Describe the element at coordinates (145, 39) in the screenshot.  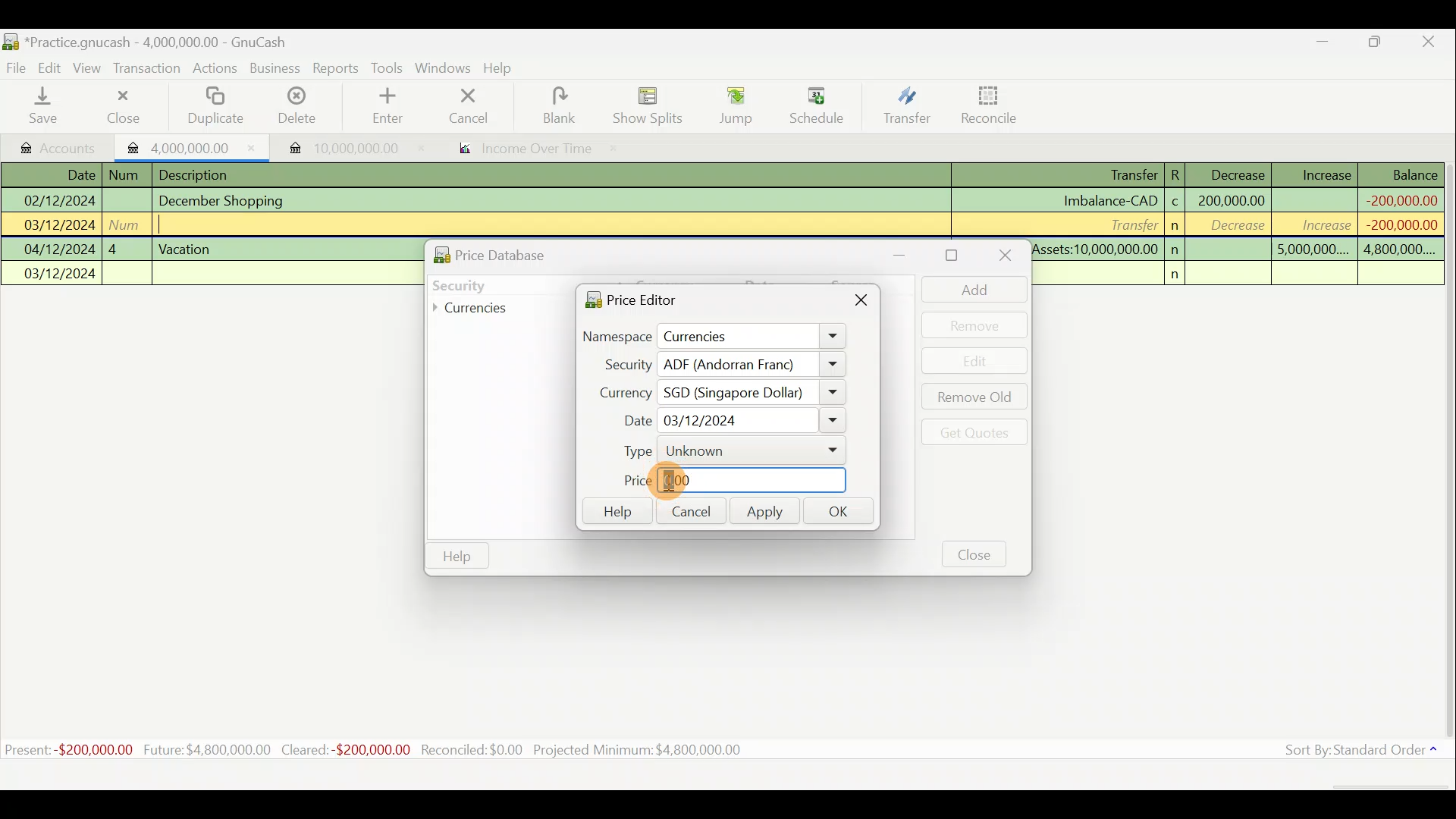
I see `Document name` at that location.